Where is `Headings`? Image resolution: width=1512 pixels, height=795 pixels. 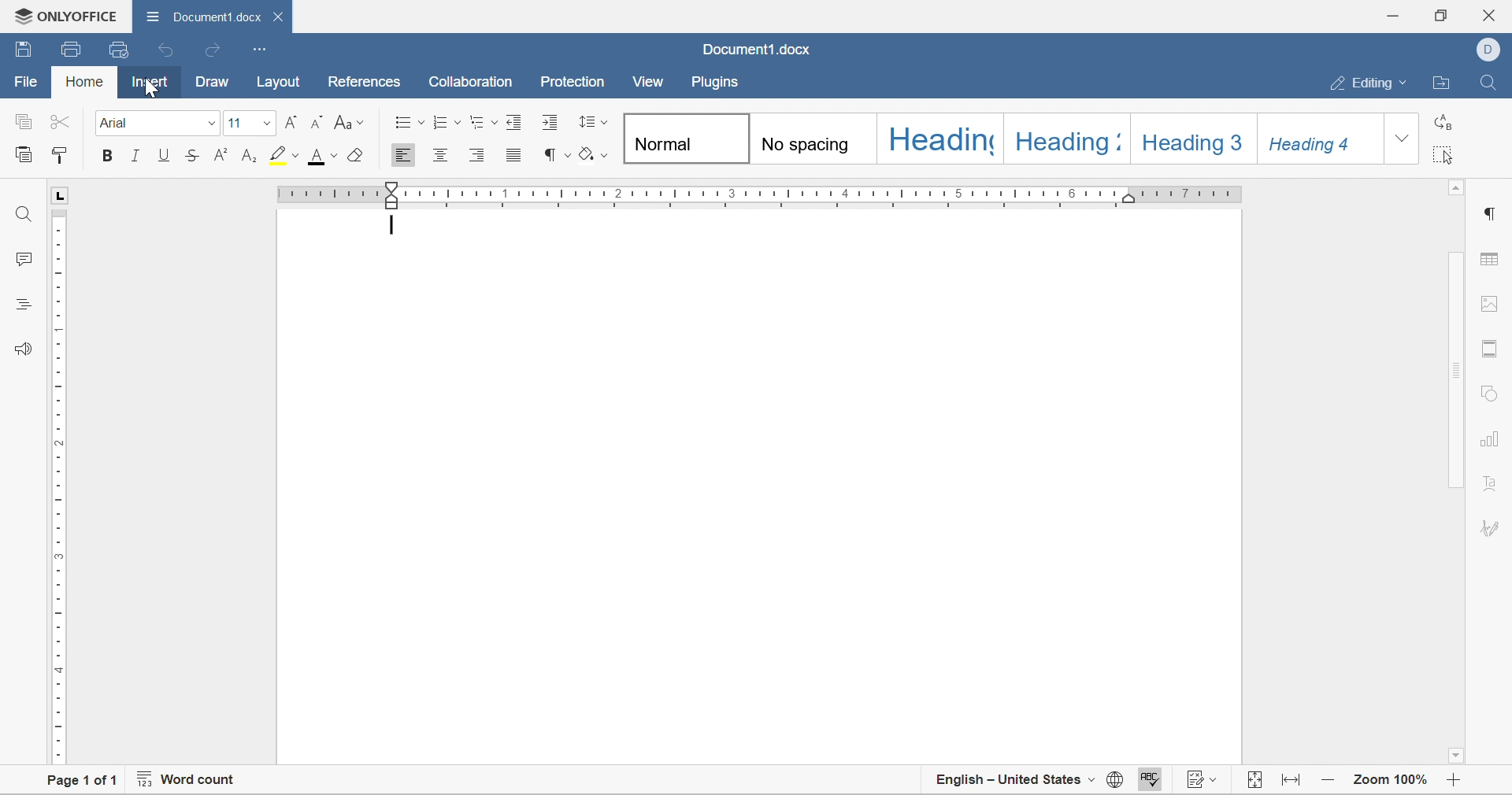
Headings is located at coordinates (21, 303).